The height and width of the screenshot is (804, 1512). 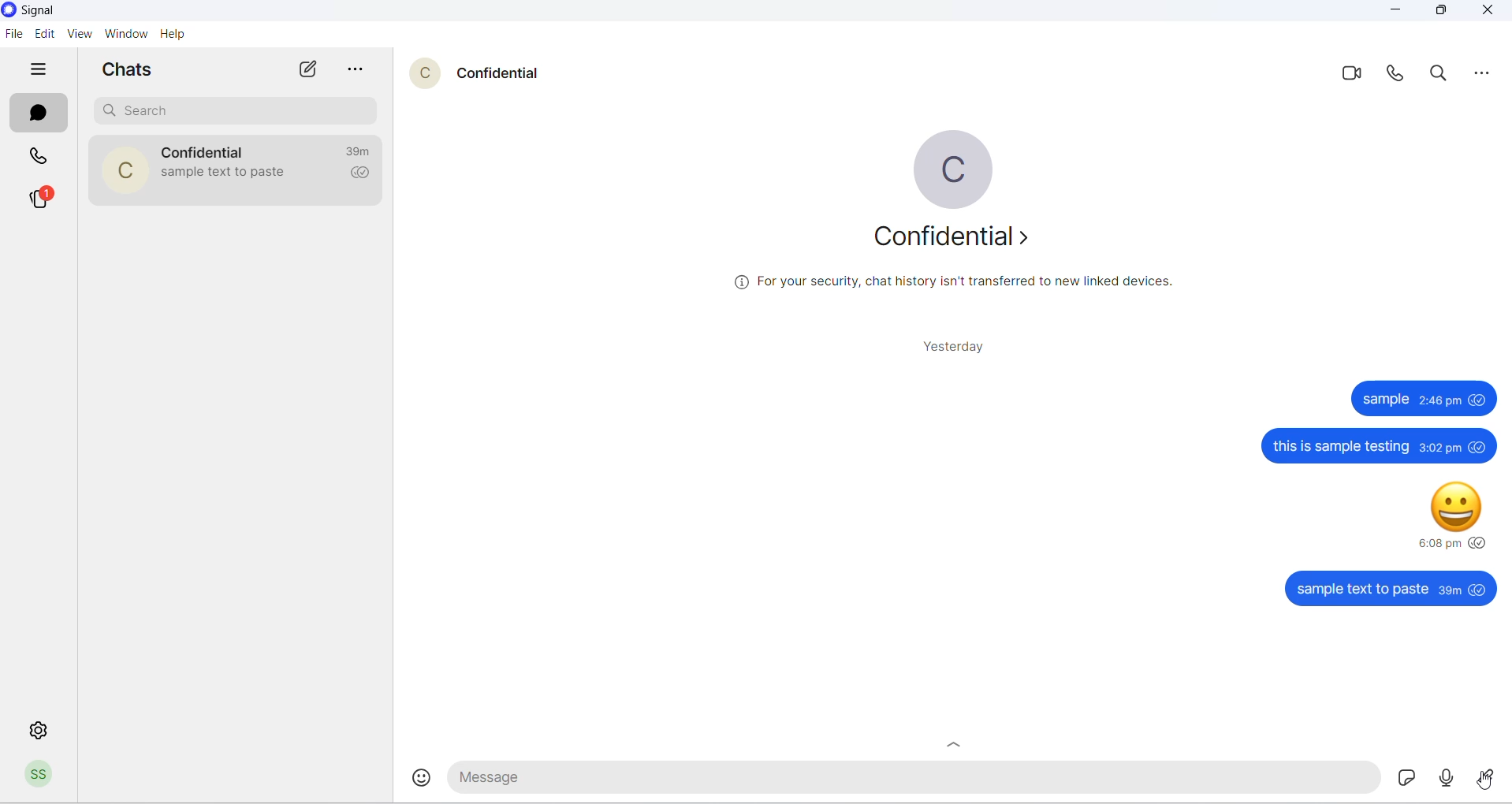 What do you see at coordinates (1479, 446) in the screenshot?
I see `seen` at bounding box center [1479, 446].